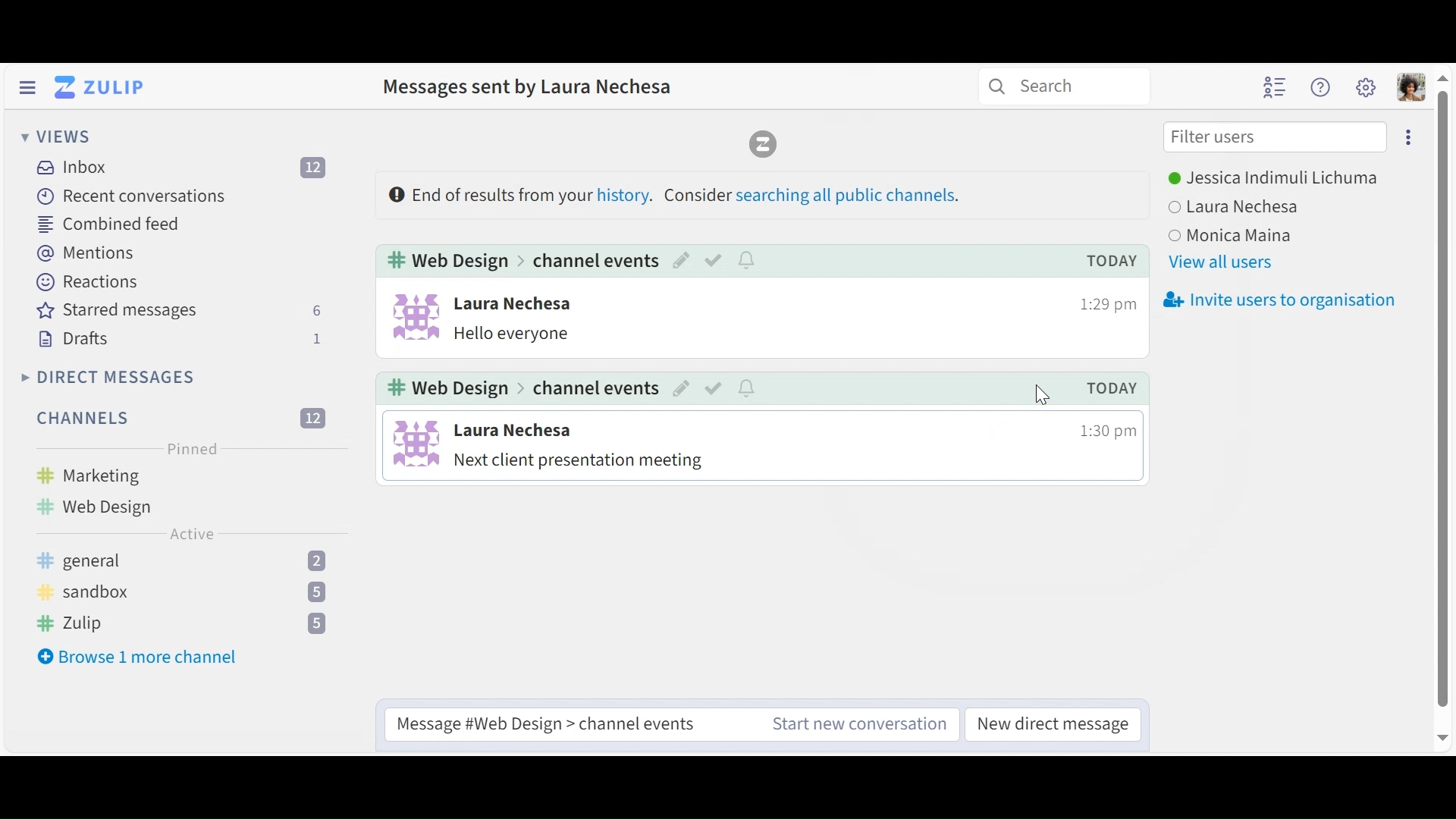 The height and width of the screenshot is (819, 1456). Describe the element at coordinates (111, 223) in the screenshot. I see `Combined feed` at that location.